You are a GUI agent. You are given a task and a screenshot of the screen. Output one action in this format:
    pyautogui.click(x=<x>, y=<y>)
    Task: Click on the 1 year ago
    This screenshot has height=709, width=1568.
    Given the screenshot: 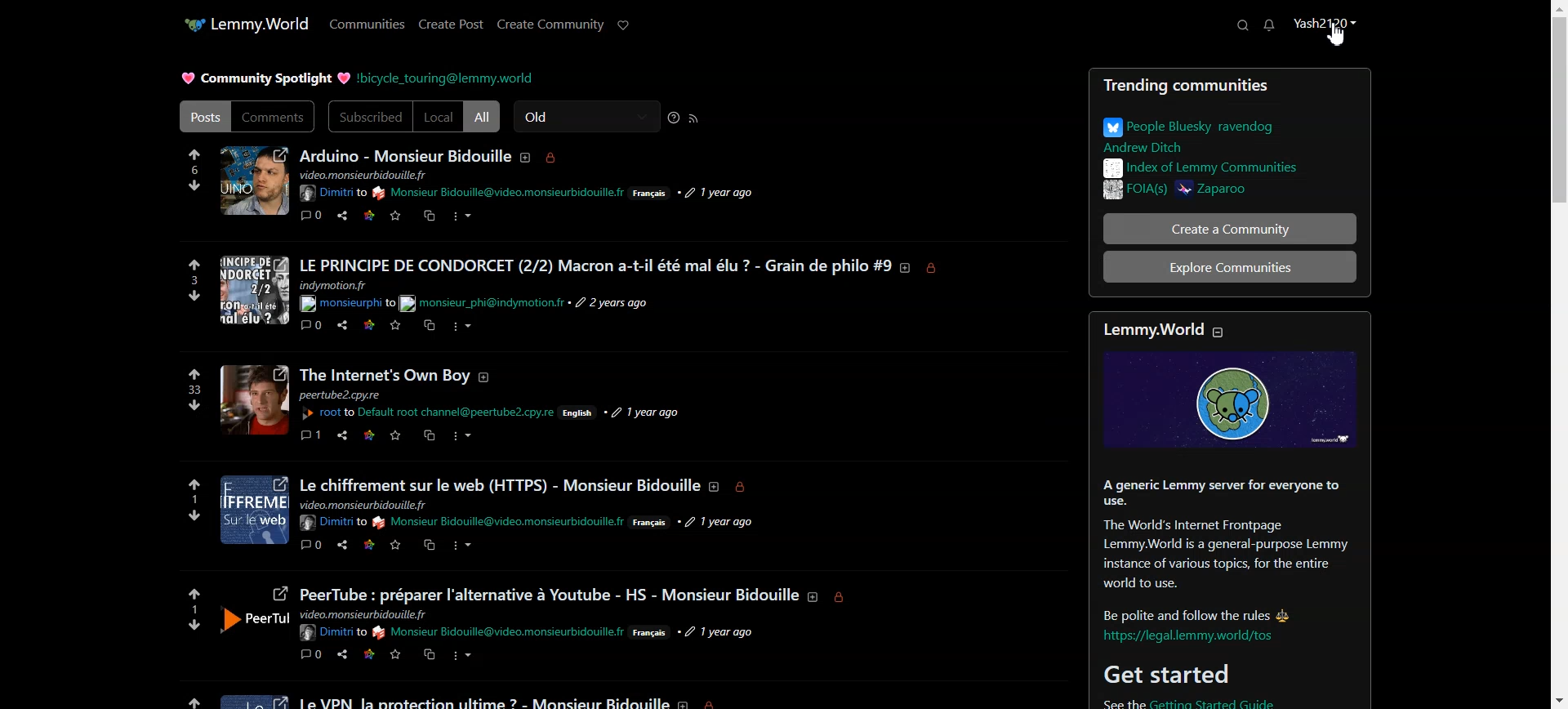 What is the action you would take?
    pyautogui.click(x=724, y=631)
    